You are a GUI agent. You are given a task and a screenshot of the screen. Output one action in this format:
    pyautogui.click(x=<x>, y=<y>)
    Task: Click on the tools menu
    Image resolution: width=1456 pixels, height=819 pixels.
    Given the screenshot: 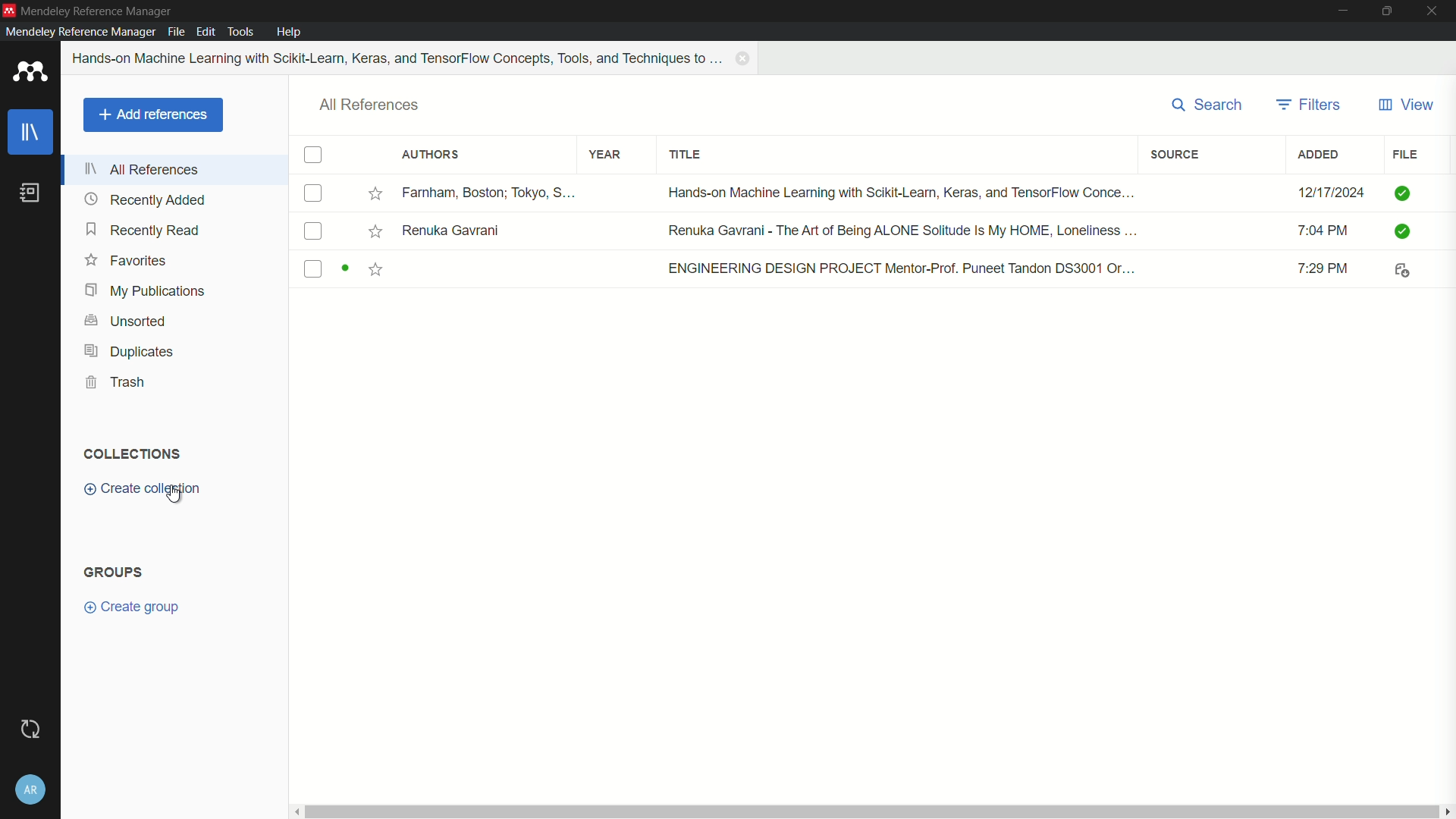 What is the action you would take?
    pyautogui.click(x=240, y=33)
    